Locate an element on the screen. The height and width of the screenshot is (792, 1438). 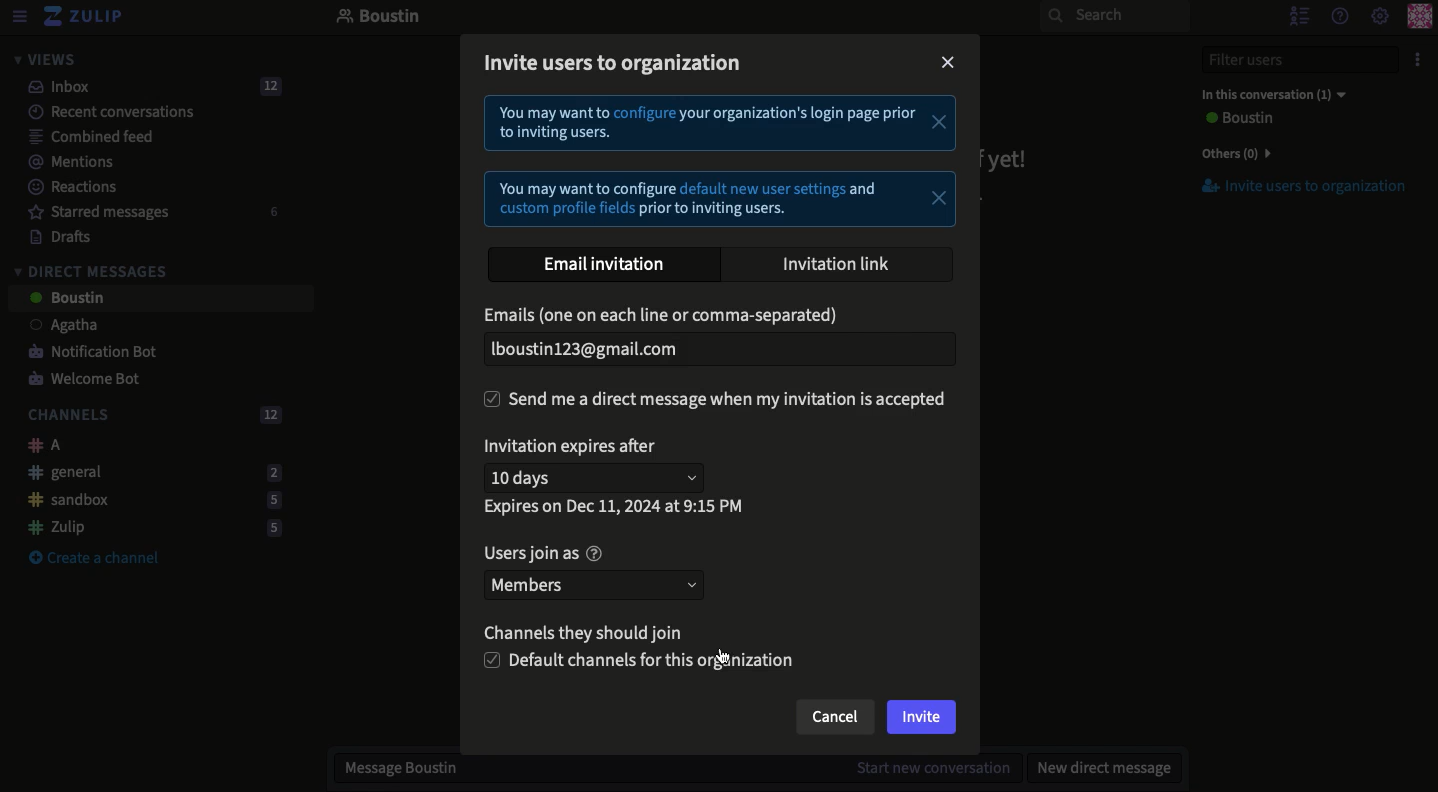
Invitation link is located at coordinates (838, 261).